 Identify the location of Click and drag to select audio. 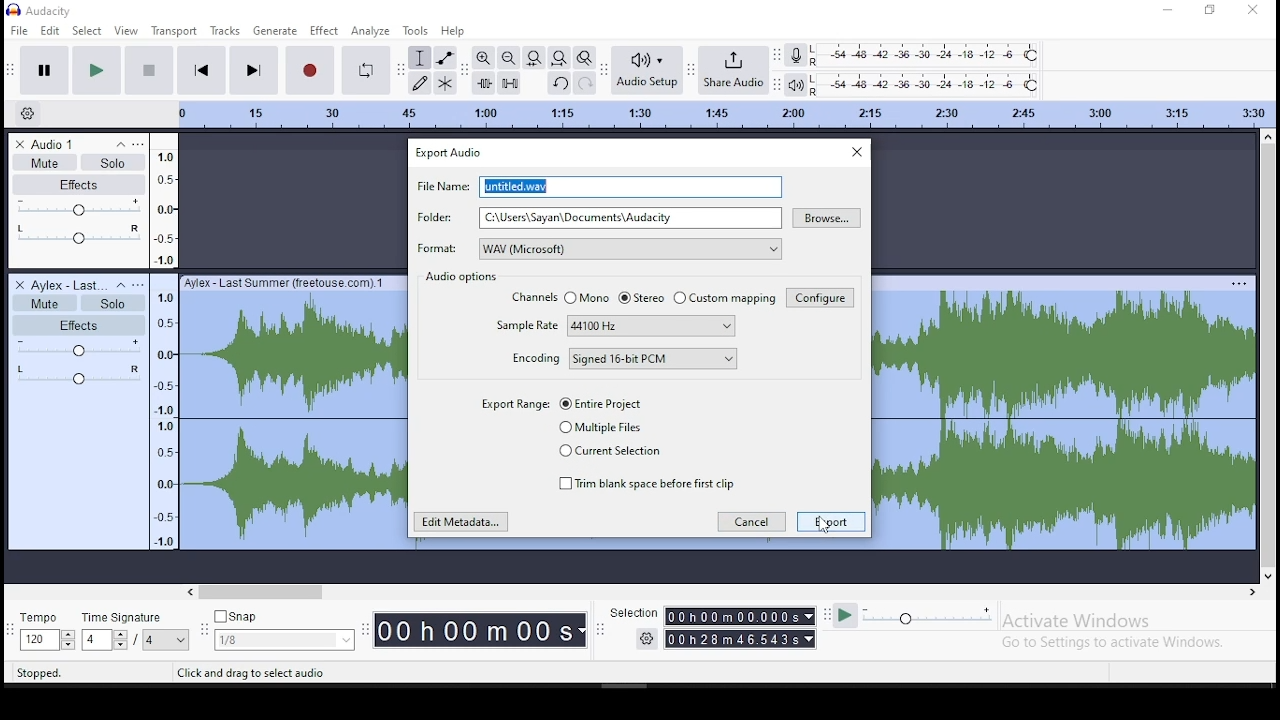
(247, 672).